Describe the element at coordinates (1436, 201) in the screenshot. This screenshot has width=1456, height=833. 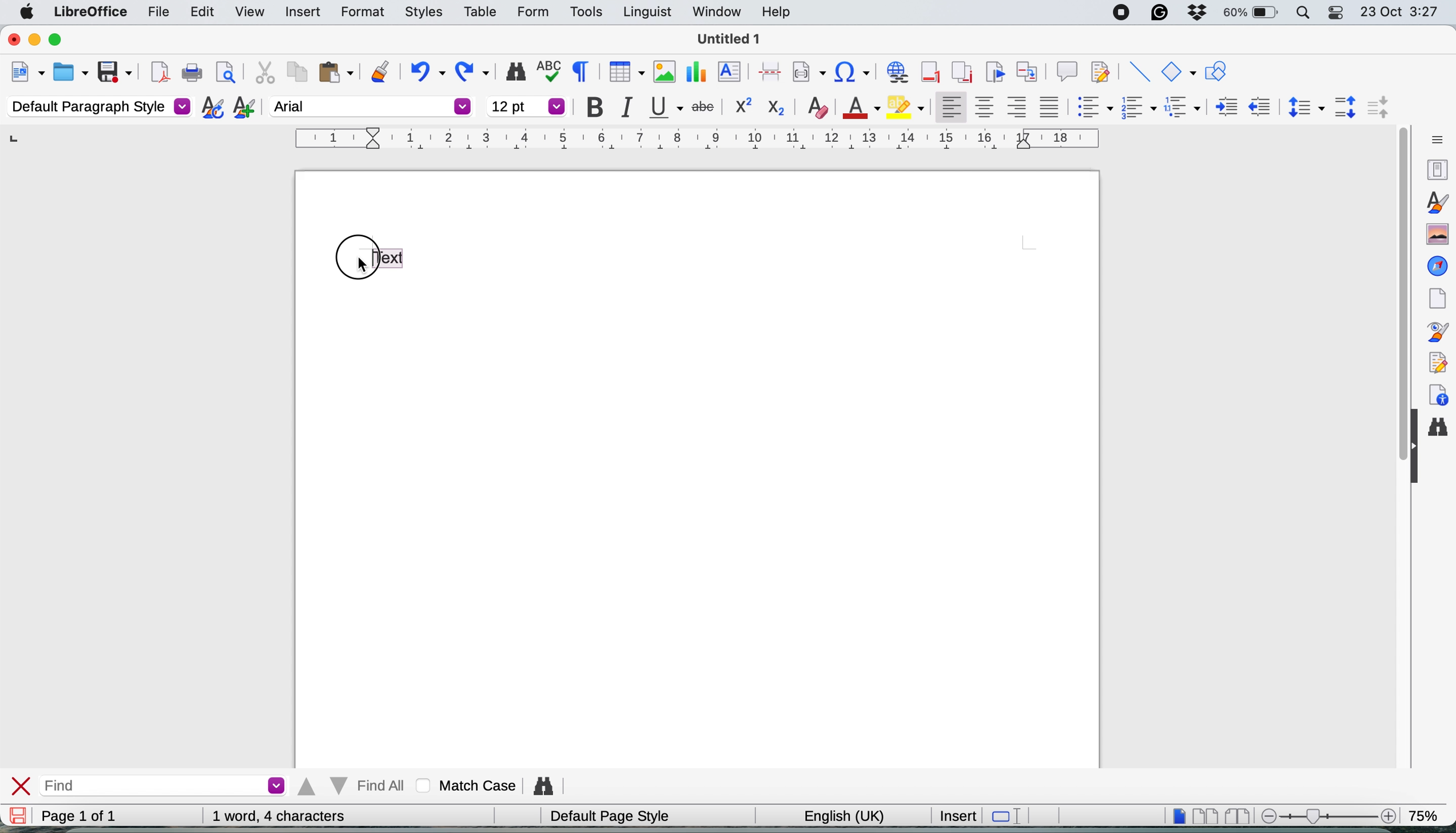
I see `styles` at that location.